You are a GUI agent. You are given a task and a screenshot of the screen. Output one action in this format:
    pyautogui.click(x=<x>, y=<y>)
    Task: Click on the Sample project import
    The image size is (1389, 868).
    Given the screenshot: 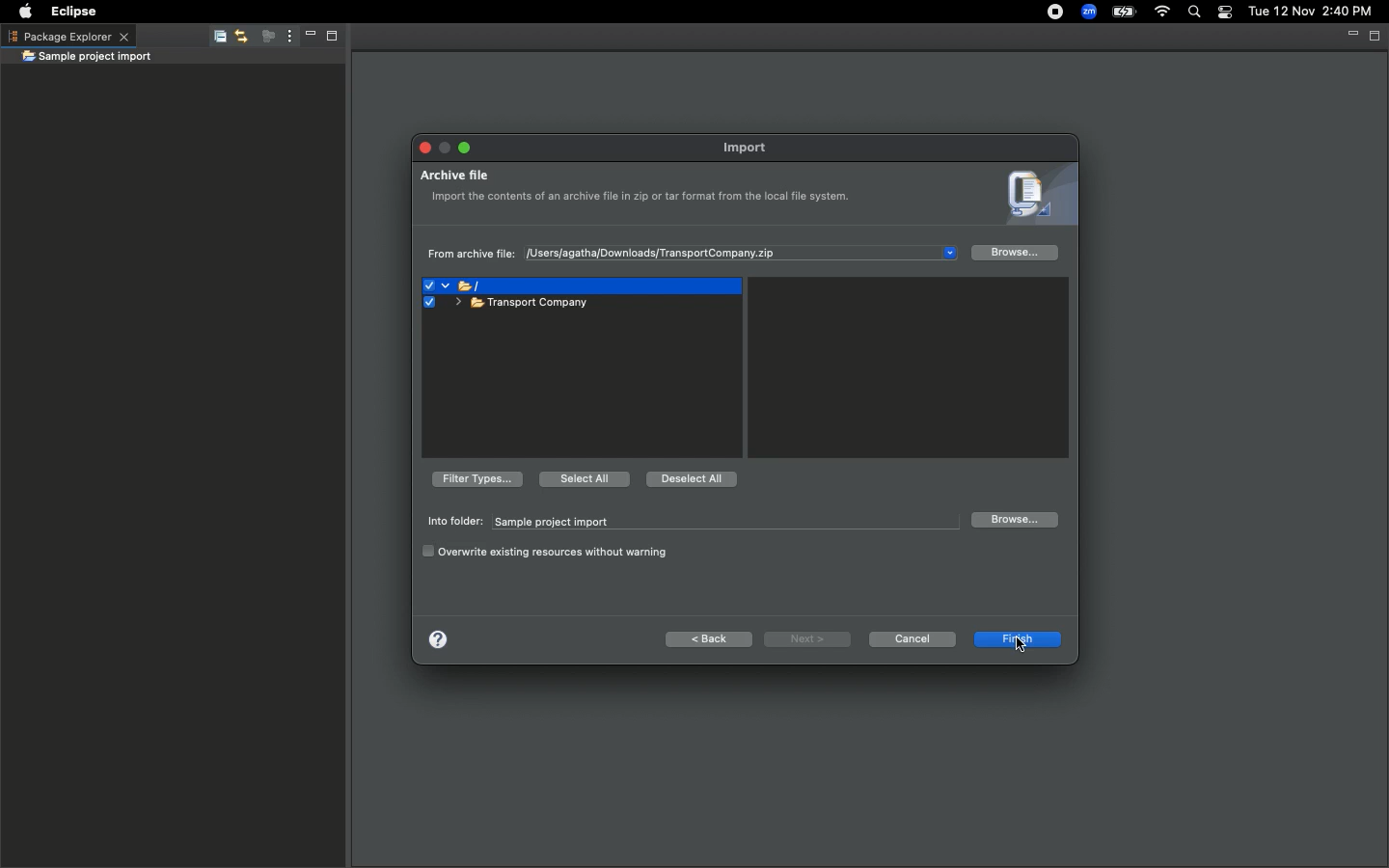 What is the action you would take?
    pyautogui.click(x=87, y=58)
    